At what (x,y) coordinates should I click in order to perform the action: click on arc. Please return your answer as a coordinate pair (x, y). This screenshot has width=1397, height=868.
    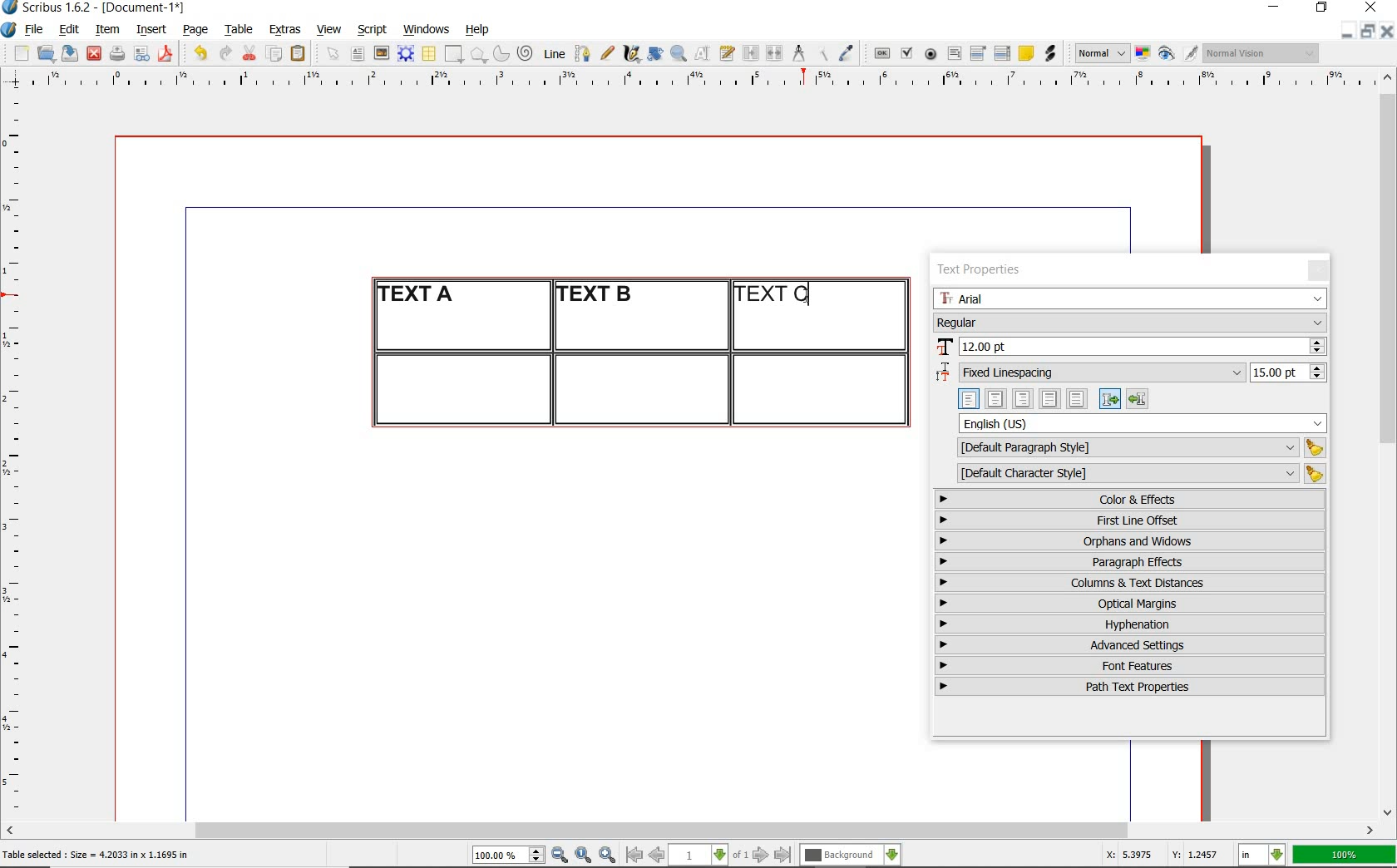
    Looking at the image, I should click on (501, 53).